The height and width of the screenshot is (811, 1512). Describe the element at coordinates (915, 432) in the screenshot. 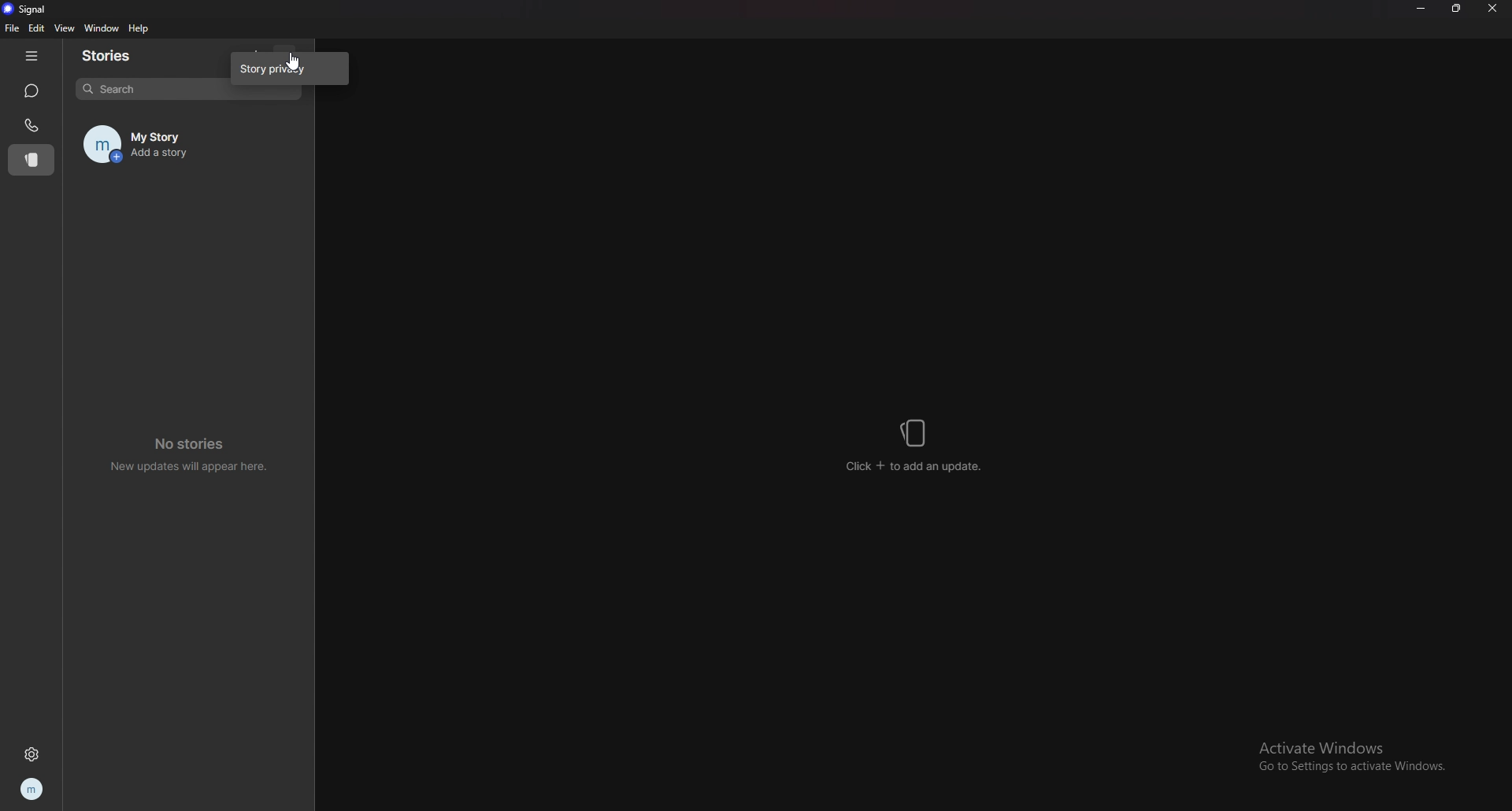

I see `stories` at that location.